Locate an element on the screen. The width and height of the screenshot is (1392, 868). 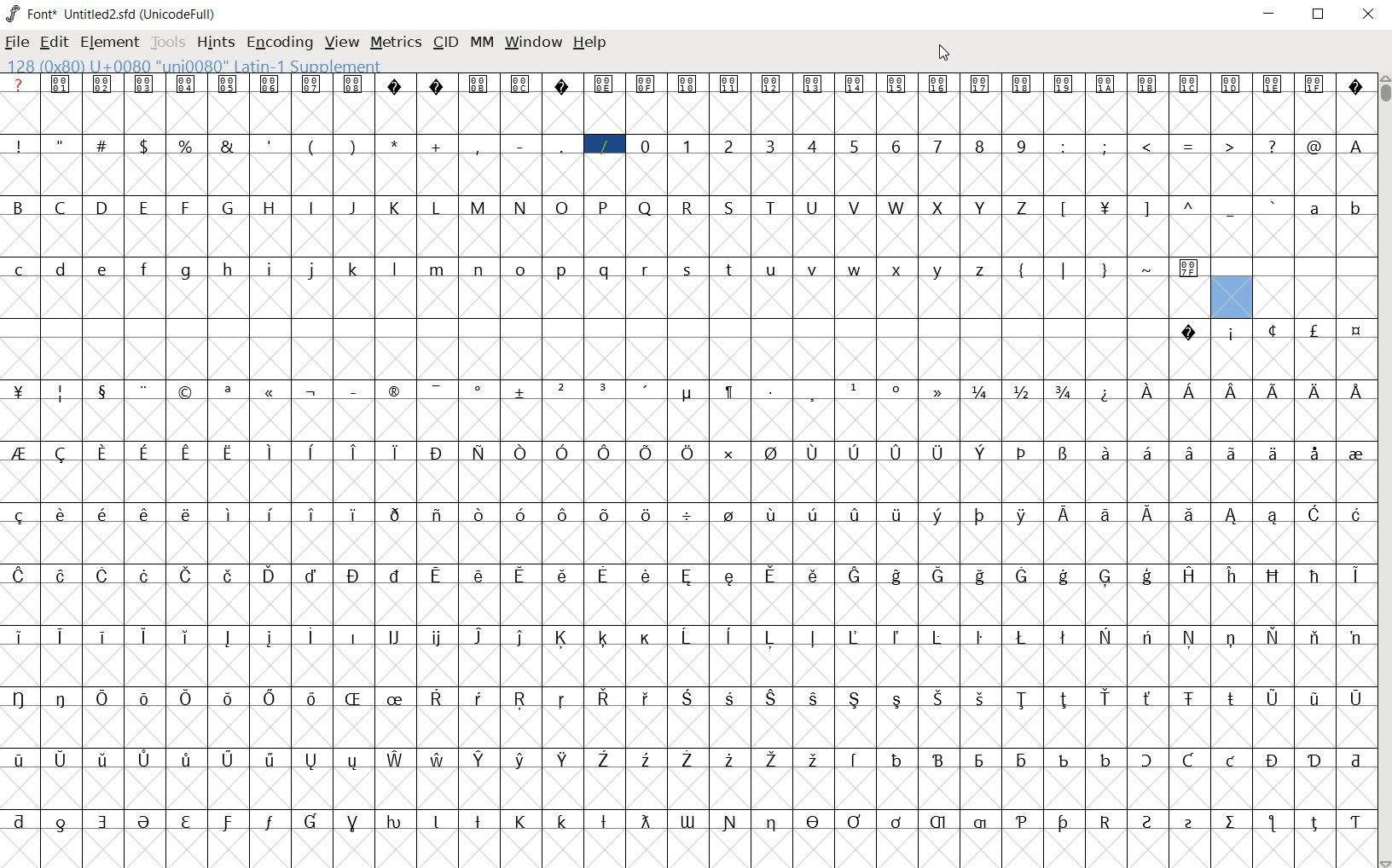
glyph is located at coordinates (519, 84).